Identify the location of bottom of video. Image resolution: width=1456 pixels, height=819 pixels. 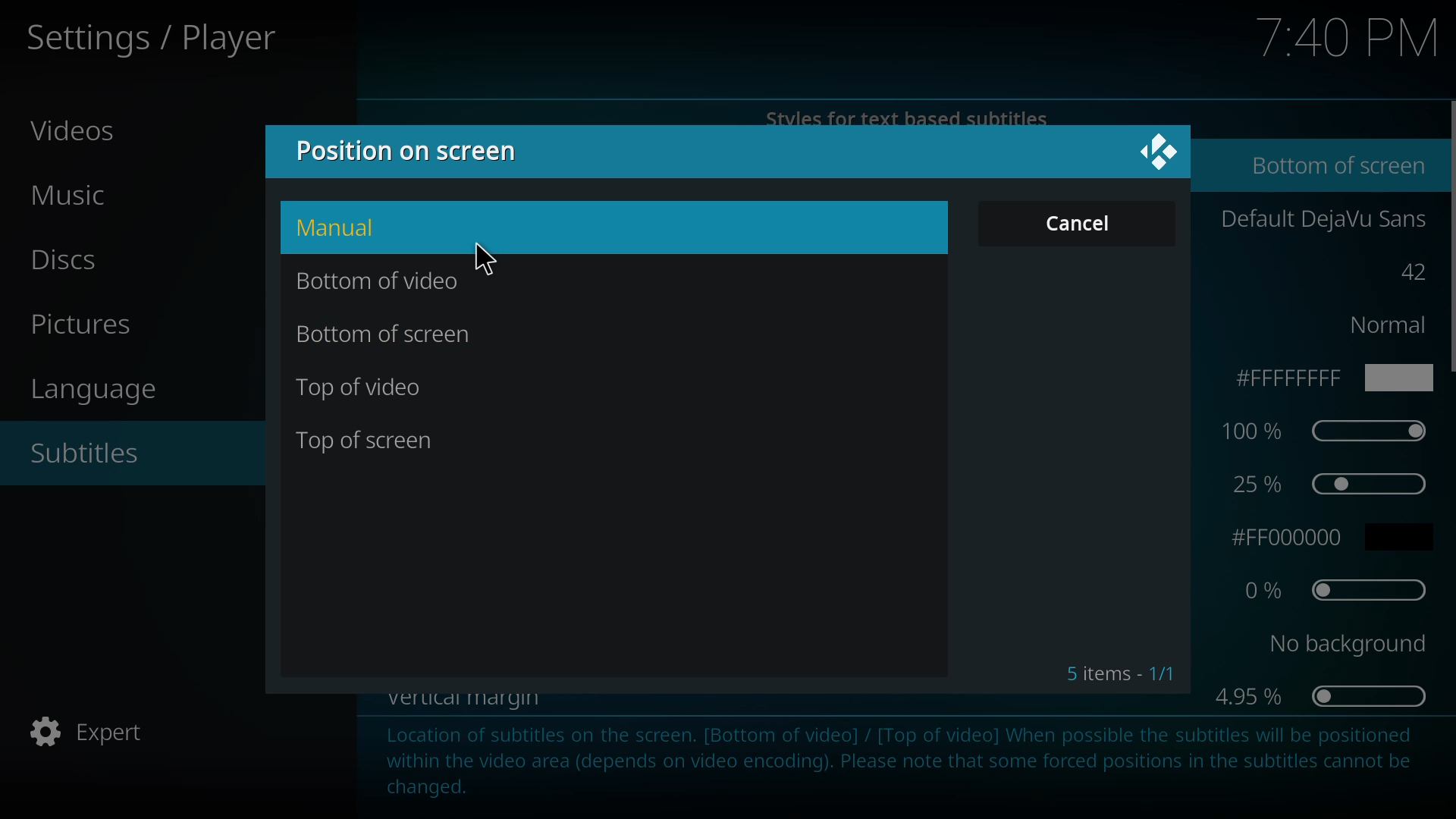
(381, 284).